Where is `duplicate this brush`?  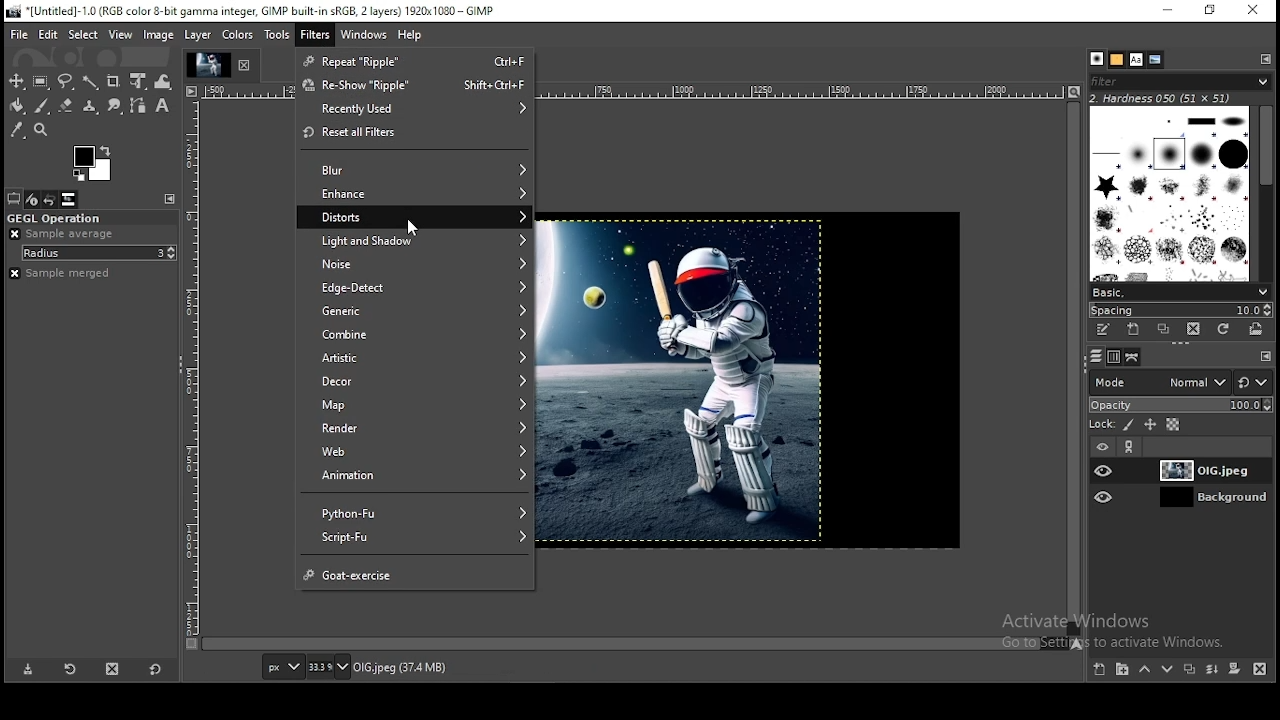 duplicate this brush is located at coordinates (1164, 329).